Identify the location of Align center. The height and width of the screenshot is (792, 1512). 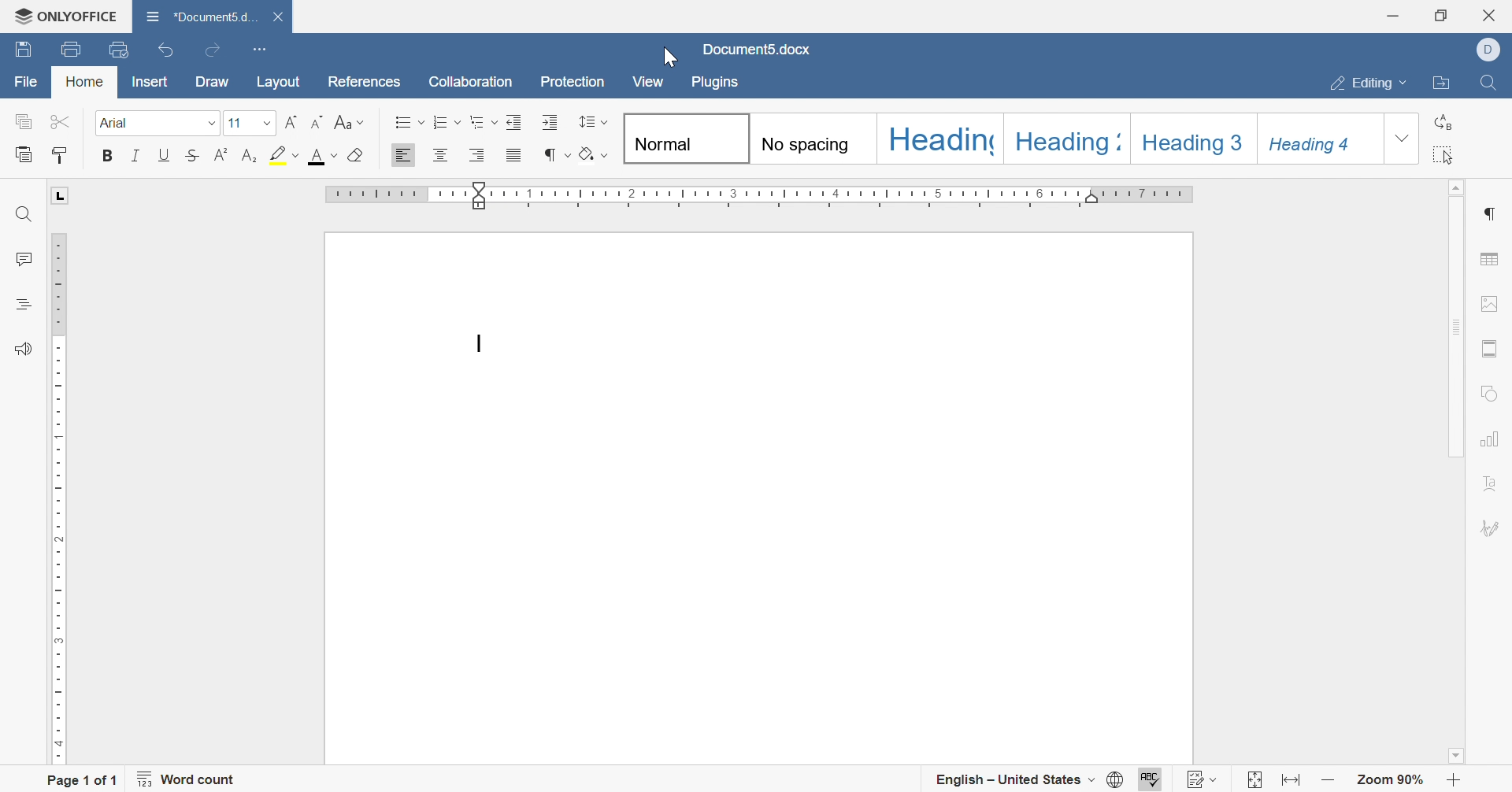
(442, 154).